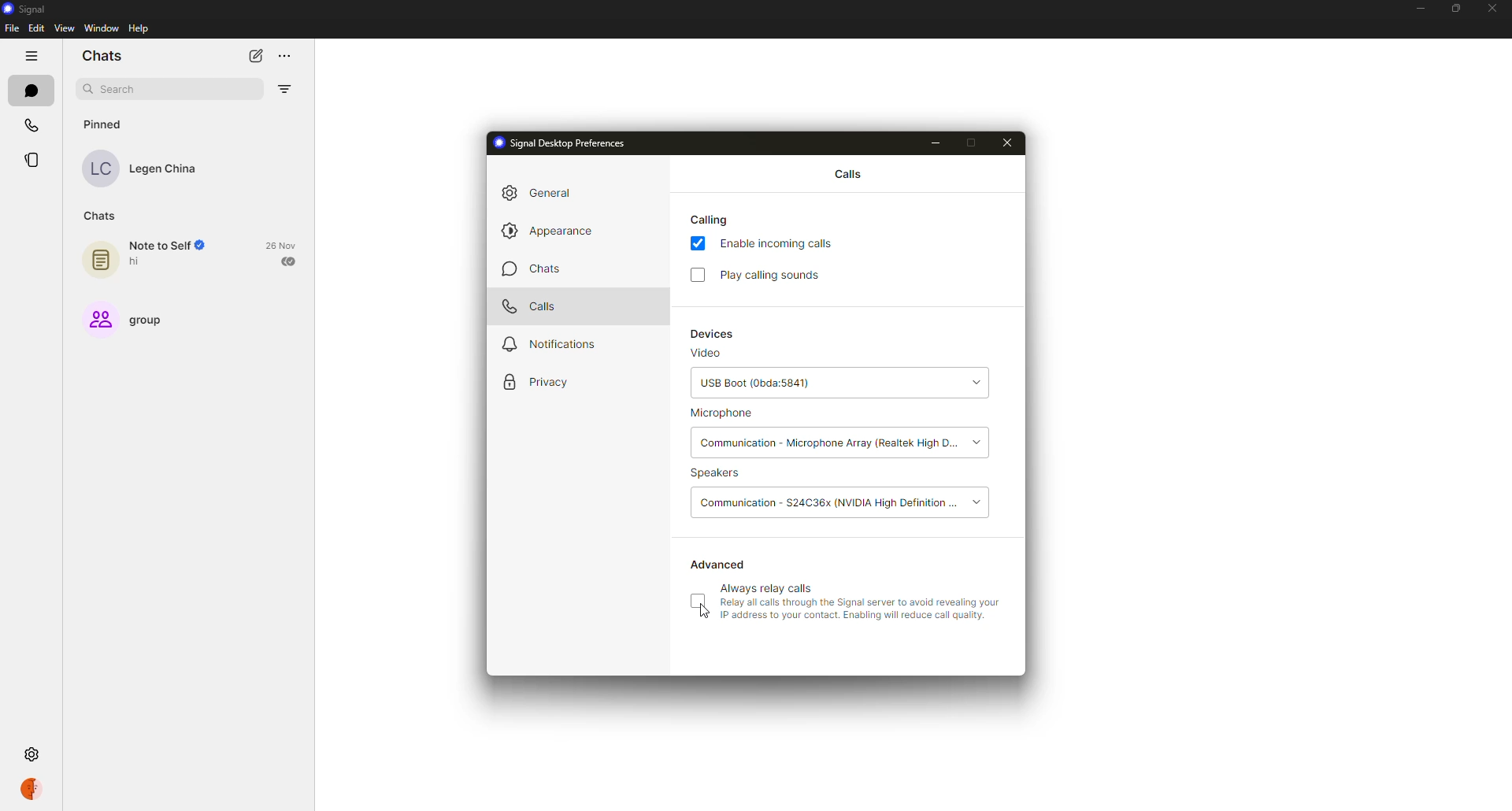 This screenshot has width=1512, height=811. What do you see at coordinates (30, 90) in the screenshot?
I see `chats` at bounding box center [30, 90].